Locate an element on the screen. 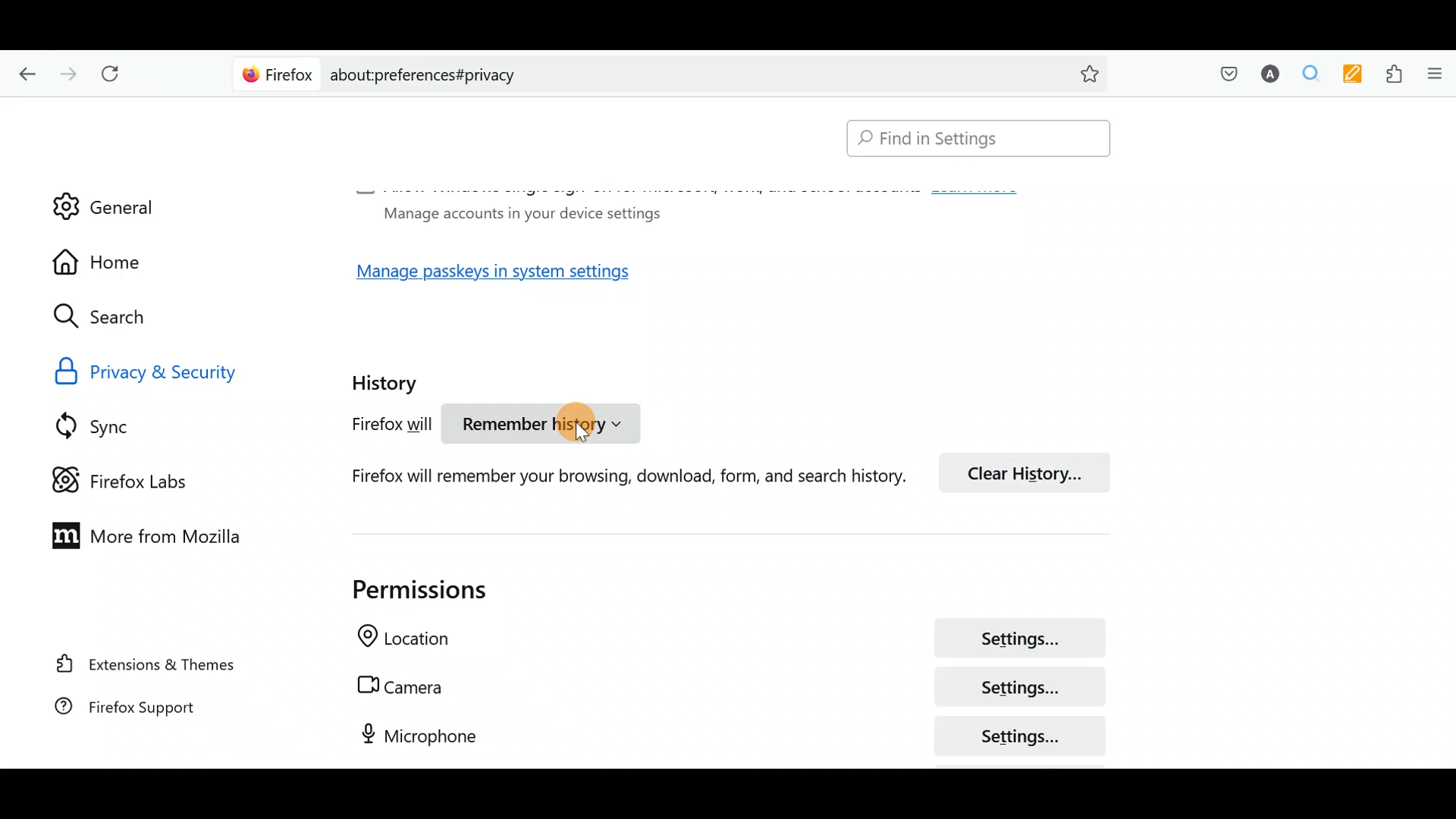  Reload current page is located at coordinates (115, 74).